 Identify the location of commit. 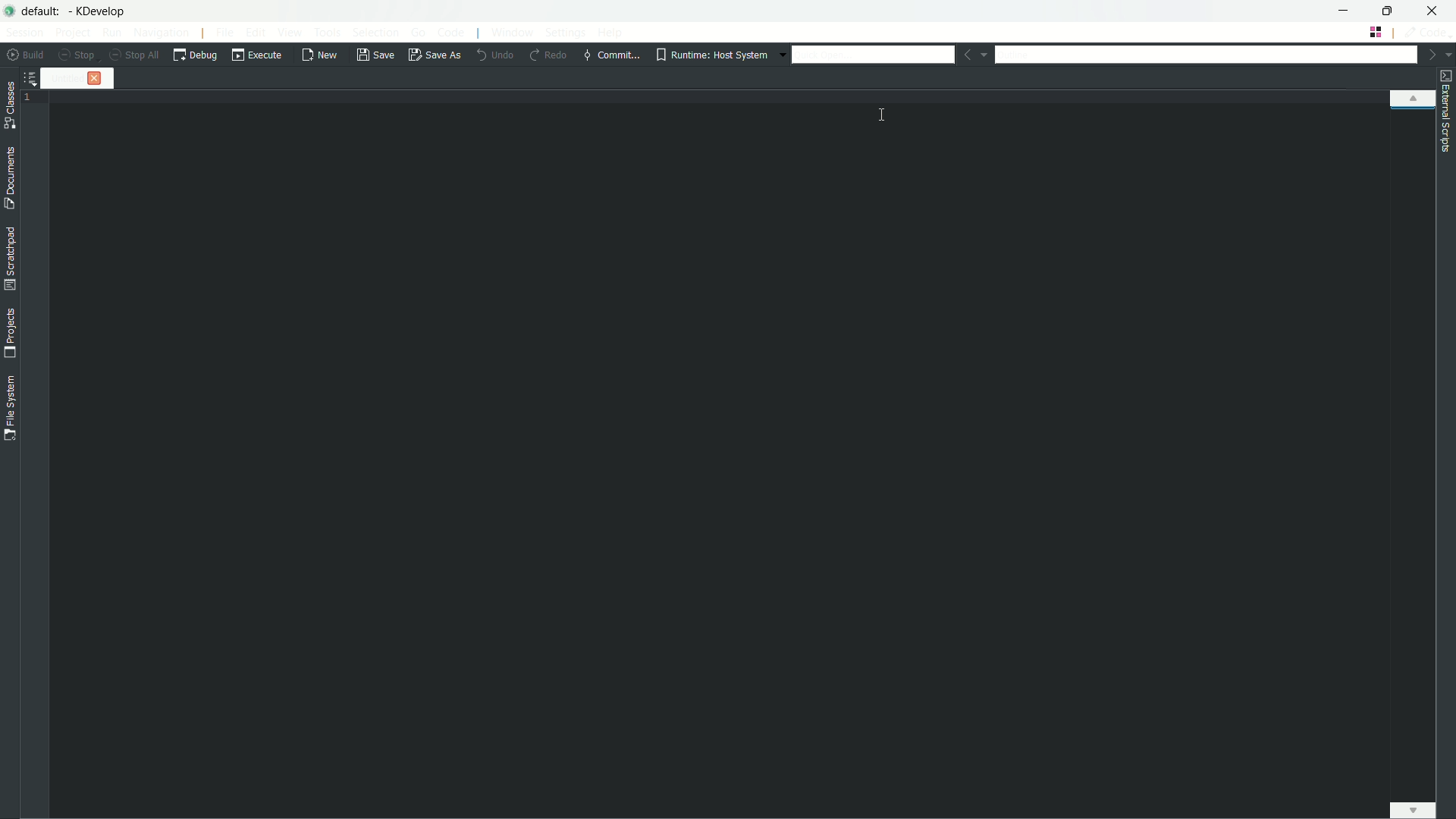
(611, 54).